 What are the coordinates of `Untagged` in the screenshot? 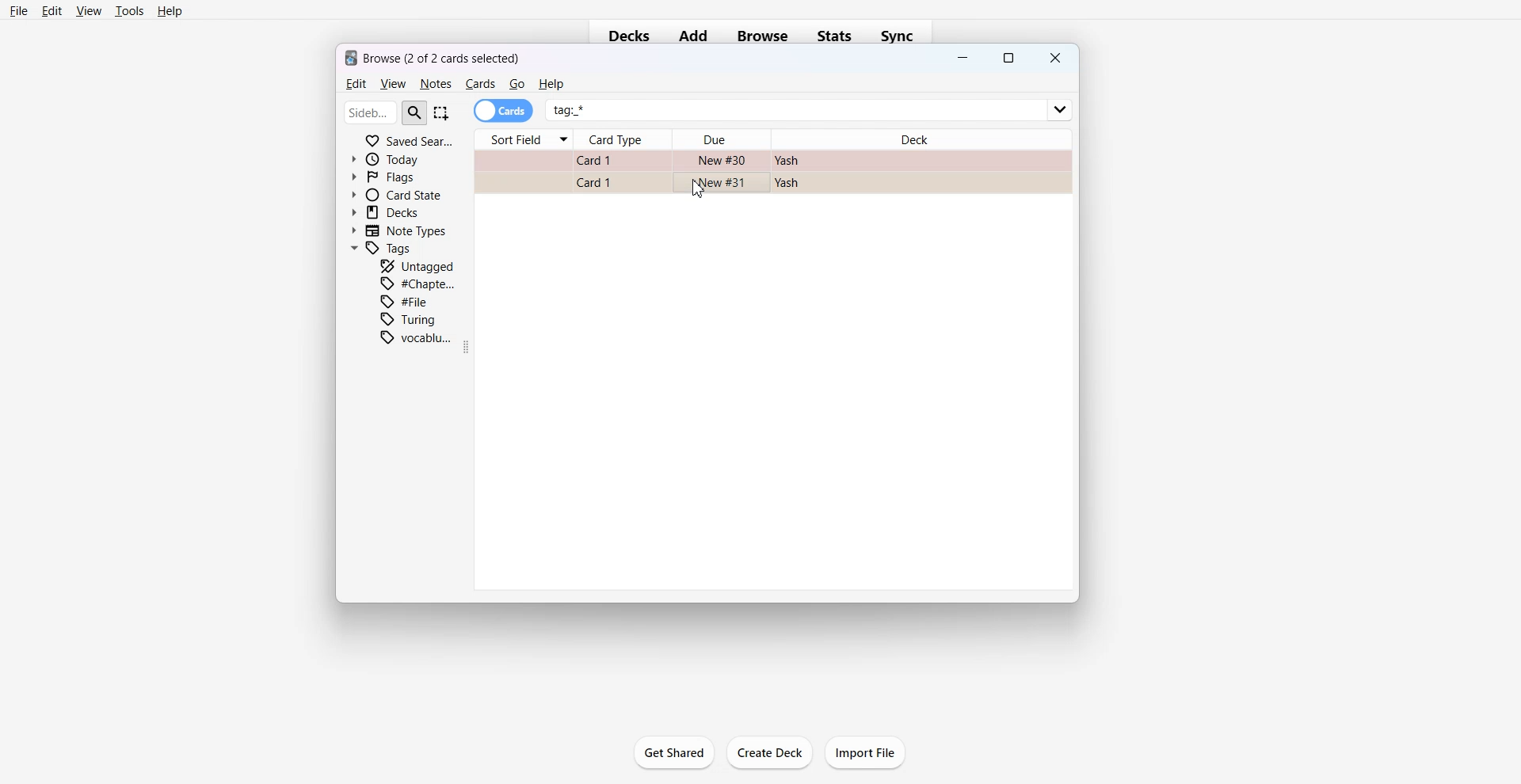 It's located at (417, 265).